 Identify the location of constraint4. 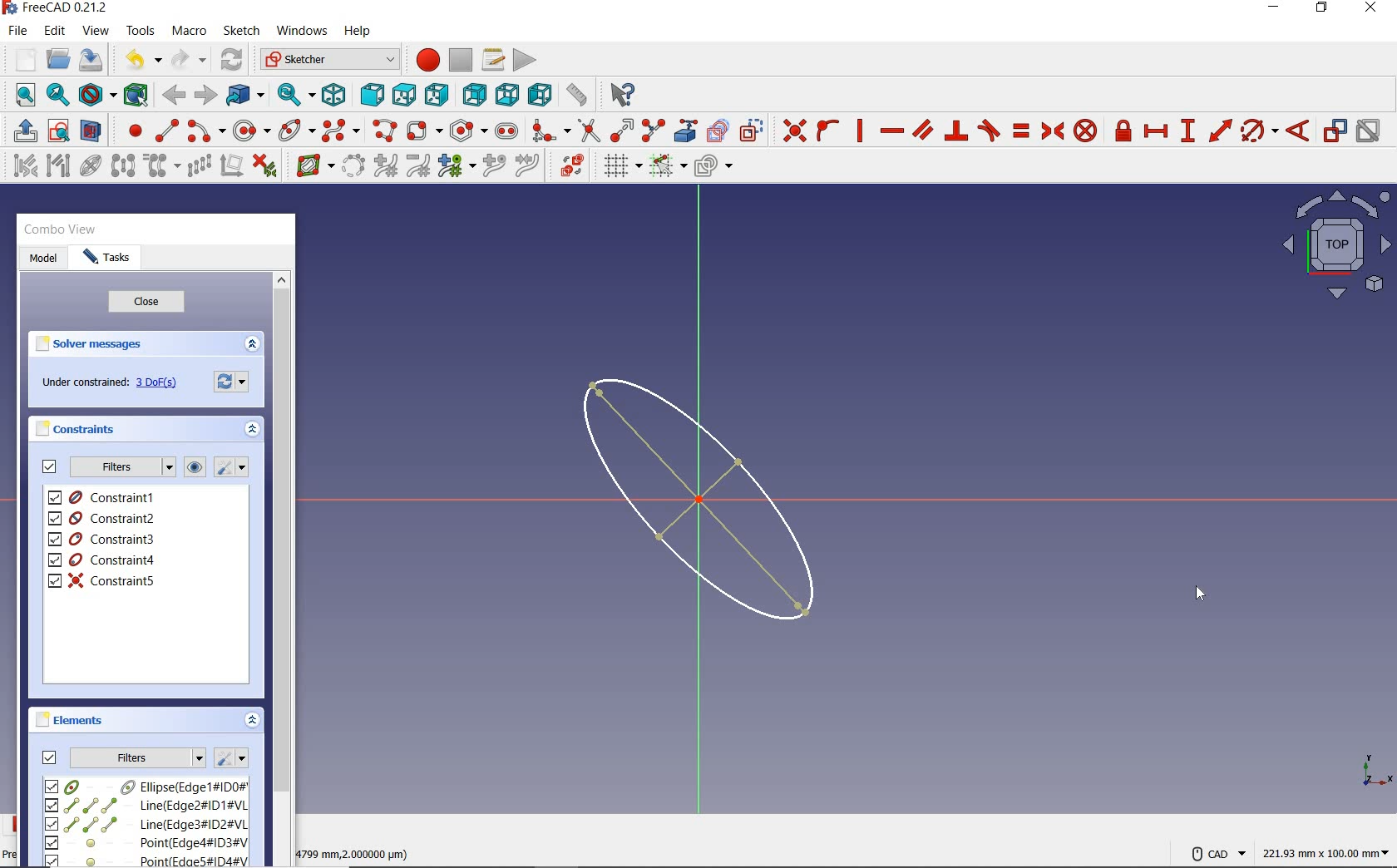
(102, 560).